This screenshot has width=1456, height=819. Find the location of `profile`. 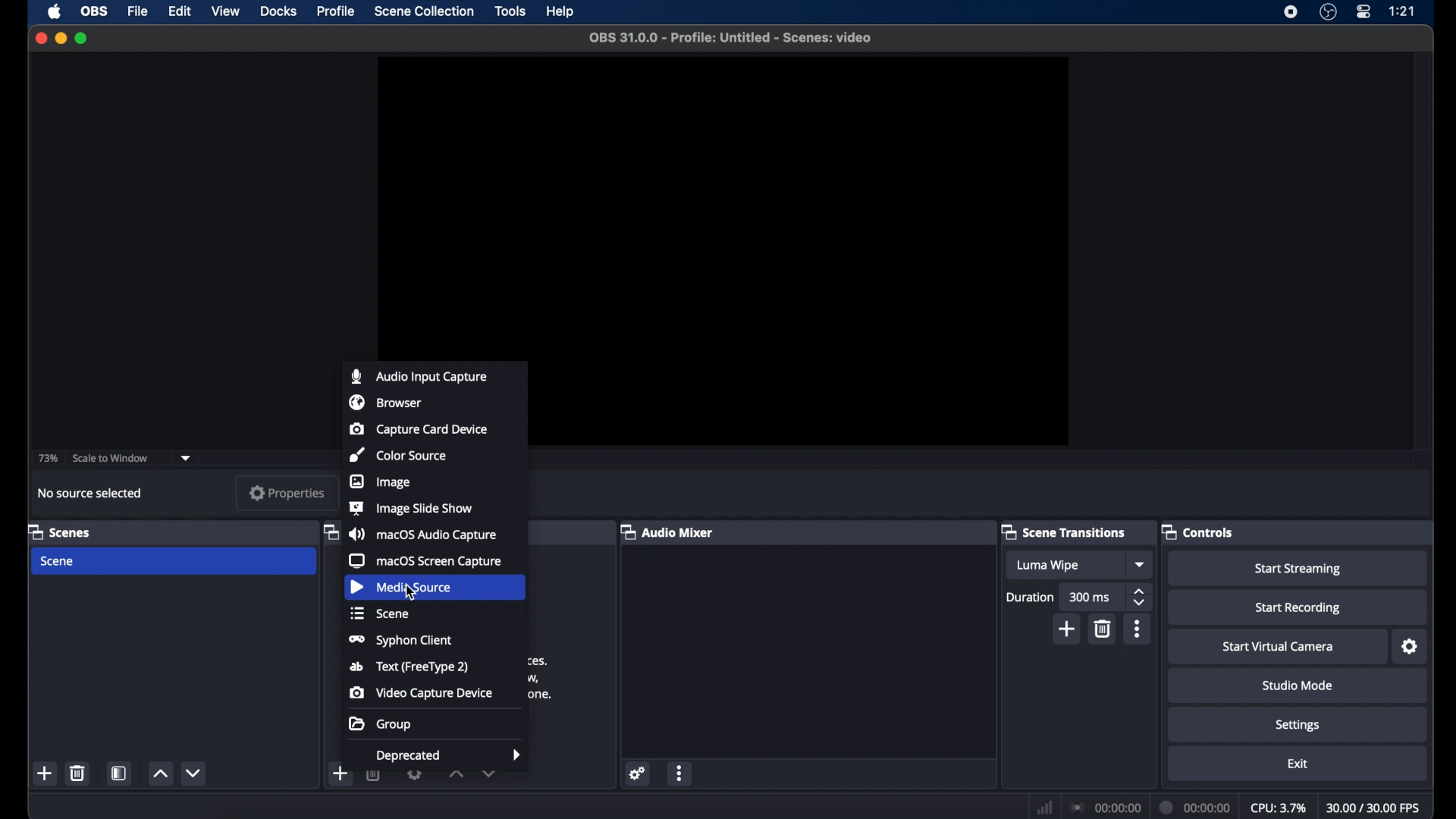

profile is located at coordinates (337, 11).